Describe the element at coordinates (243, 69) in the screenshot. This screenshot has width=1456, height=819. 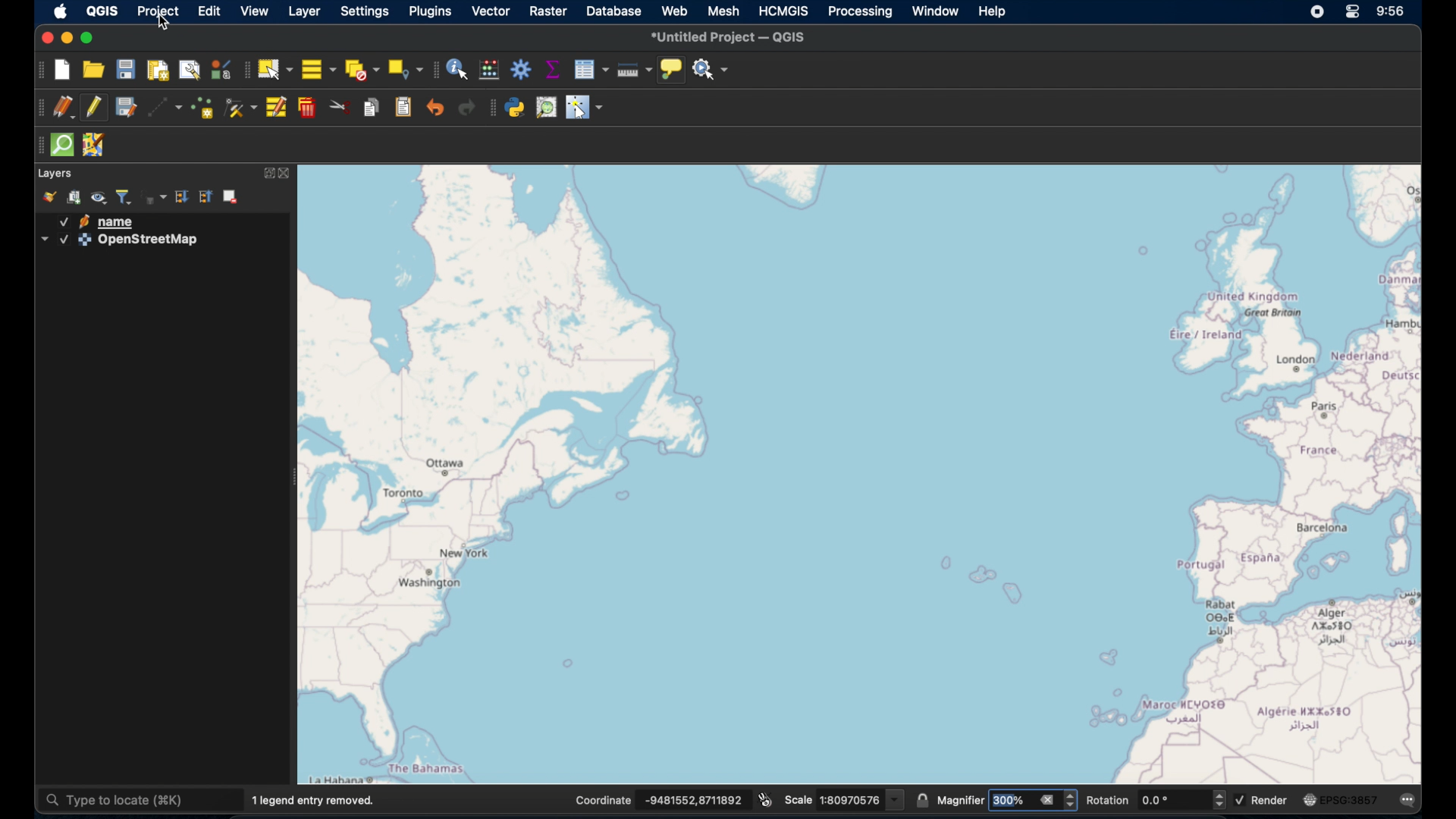
I see `selection toolbar` at that location.